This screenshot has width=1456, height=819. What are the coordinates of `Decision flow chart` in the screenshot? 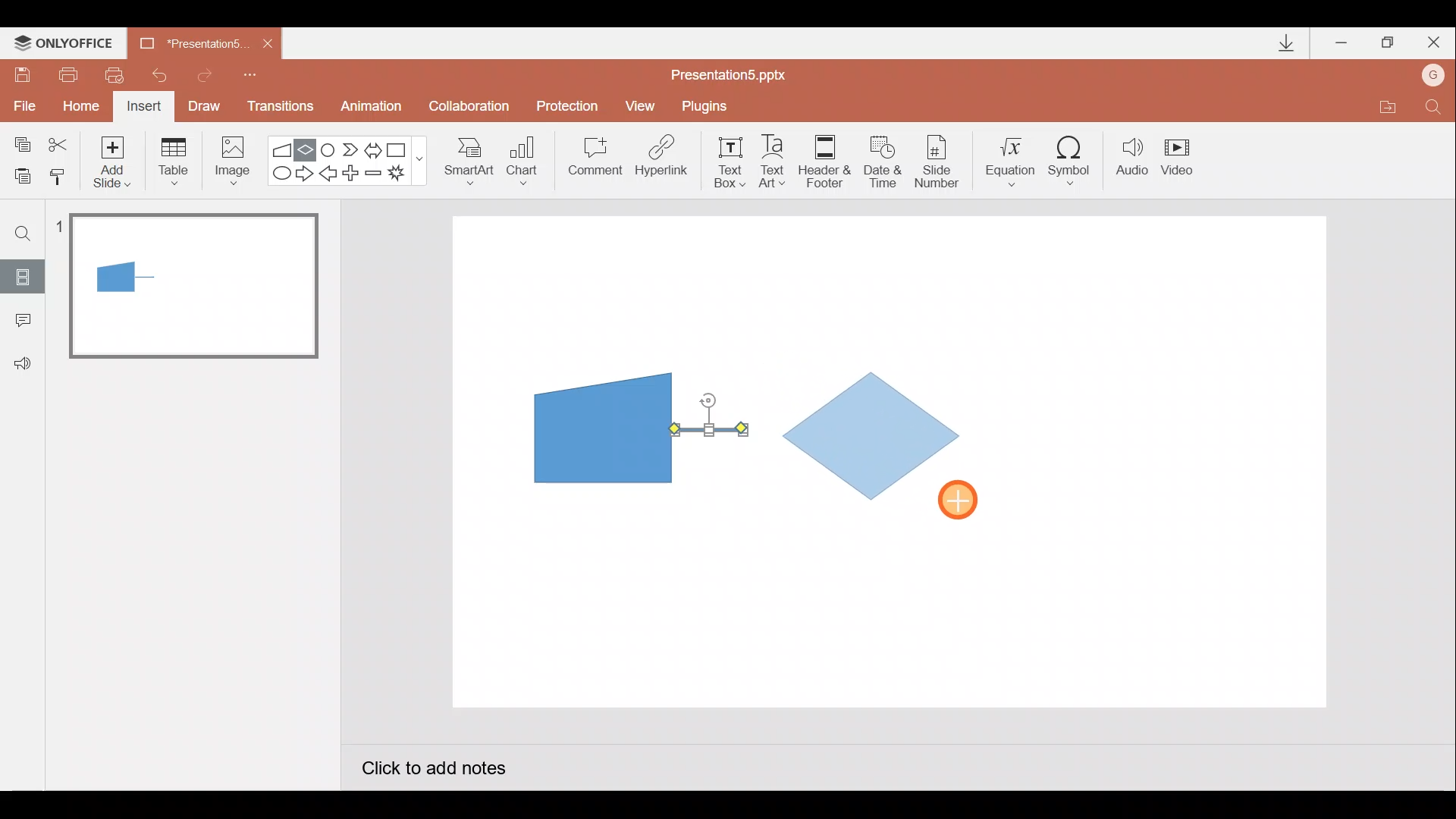 It's located at (875, 438).